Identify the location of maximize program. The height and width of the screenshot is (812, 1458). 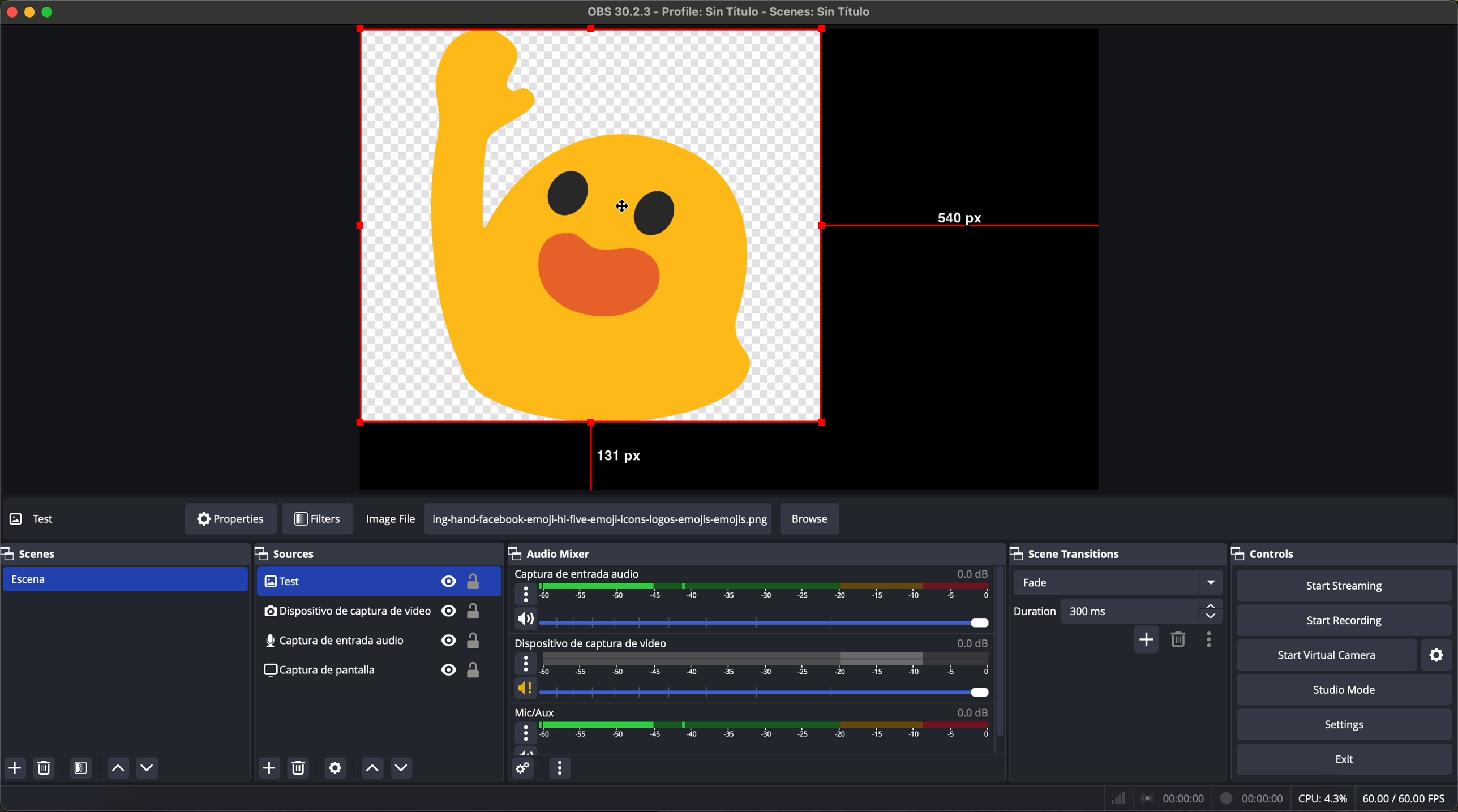
(50, 11).